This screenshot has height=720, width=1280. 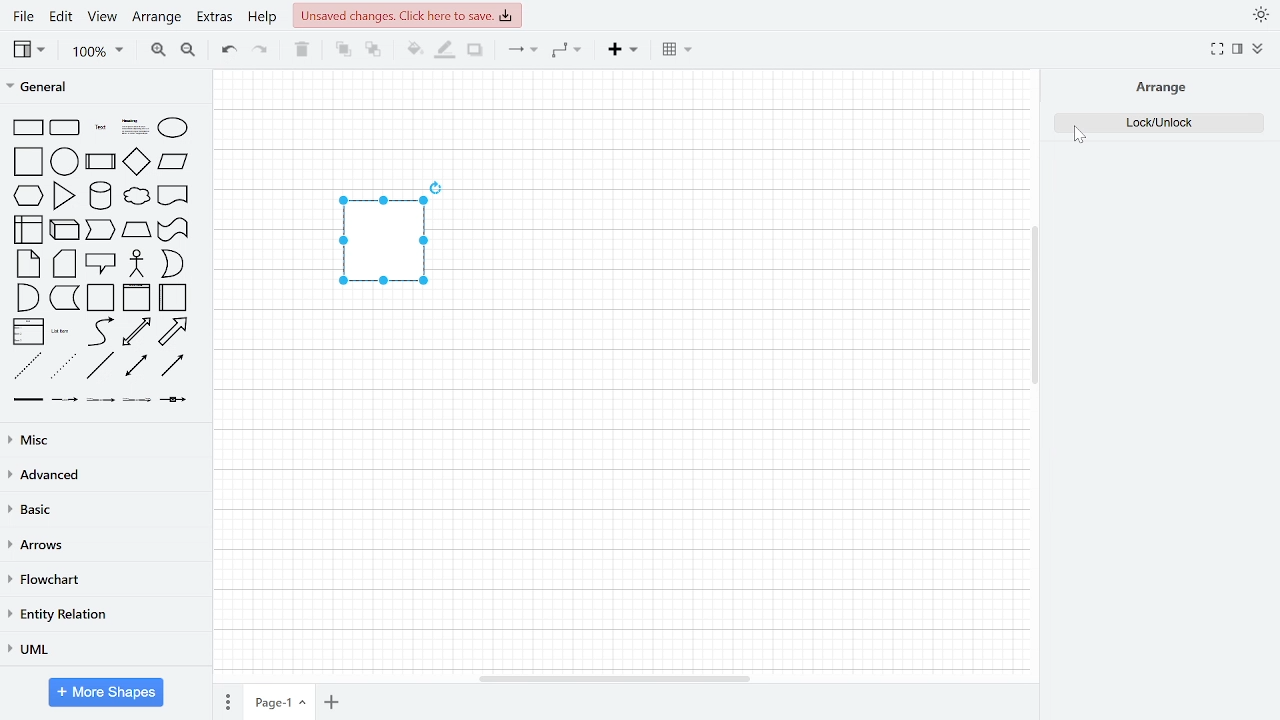 What do you see at coordinates (260, 50) in the screenshot?
I see `redo` at bounding box center [260, 50].